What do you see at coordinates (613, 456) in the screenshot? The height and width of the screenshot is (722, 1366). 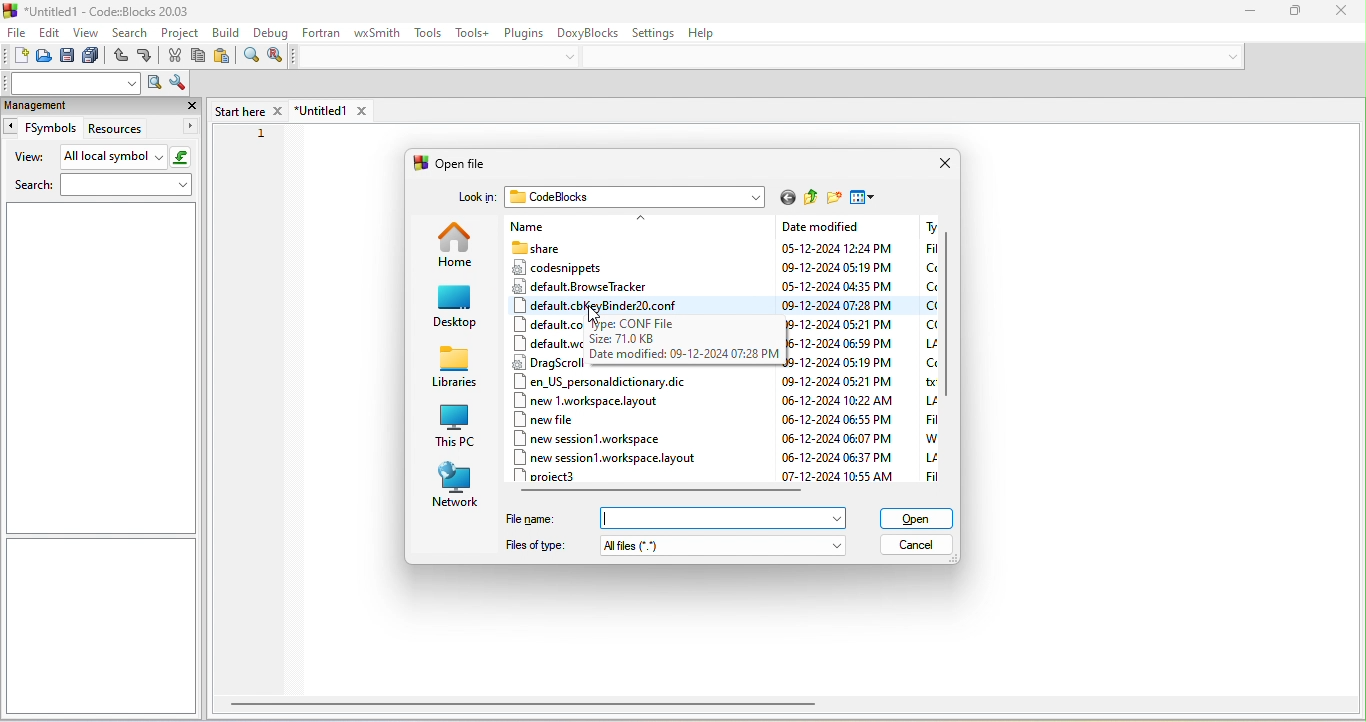 I see `new session workspace layout` at bounding box center [613, 456].